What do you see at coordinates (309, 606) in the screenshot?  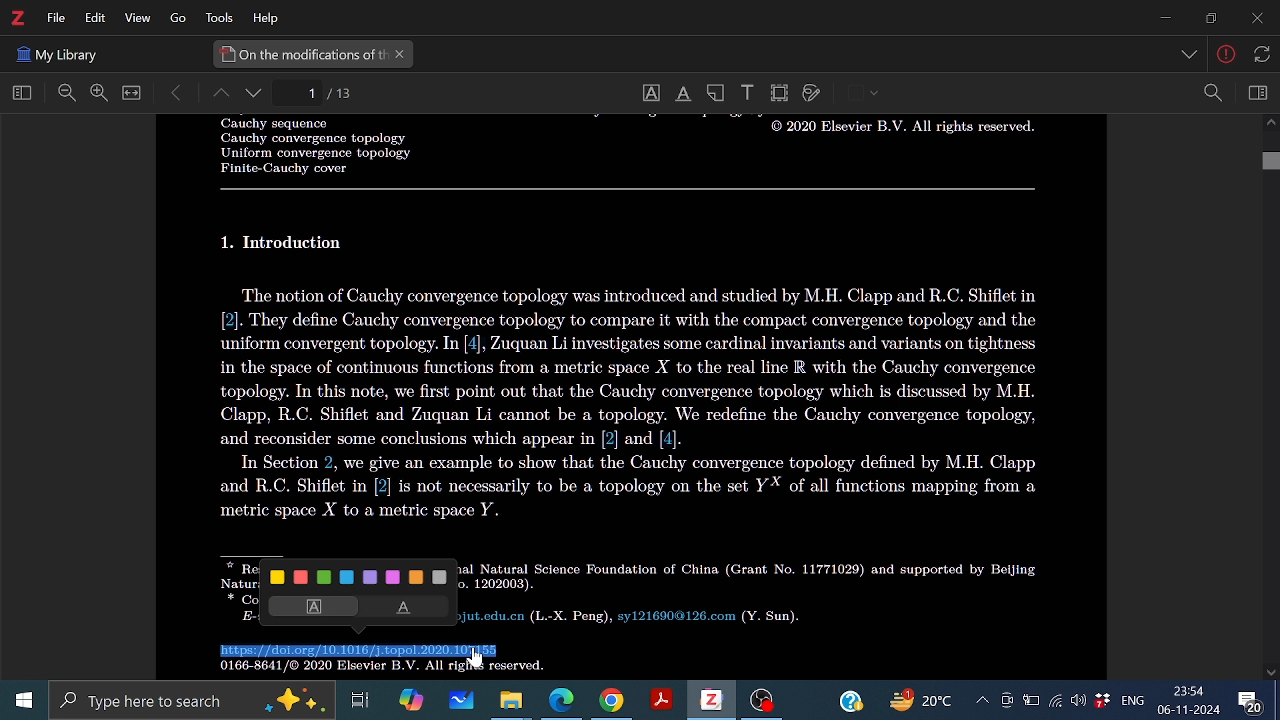 I see `Highlight` at bounding box center [309, 606].